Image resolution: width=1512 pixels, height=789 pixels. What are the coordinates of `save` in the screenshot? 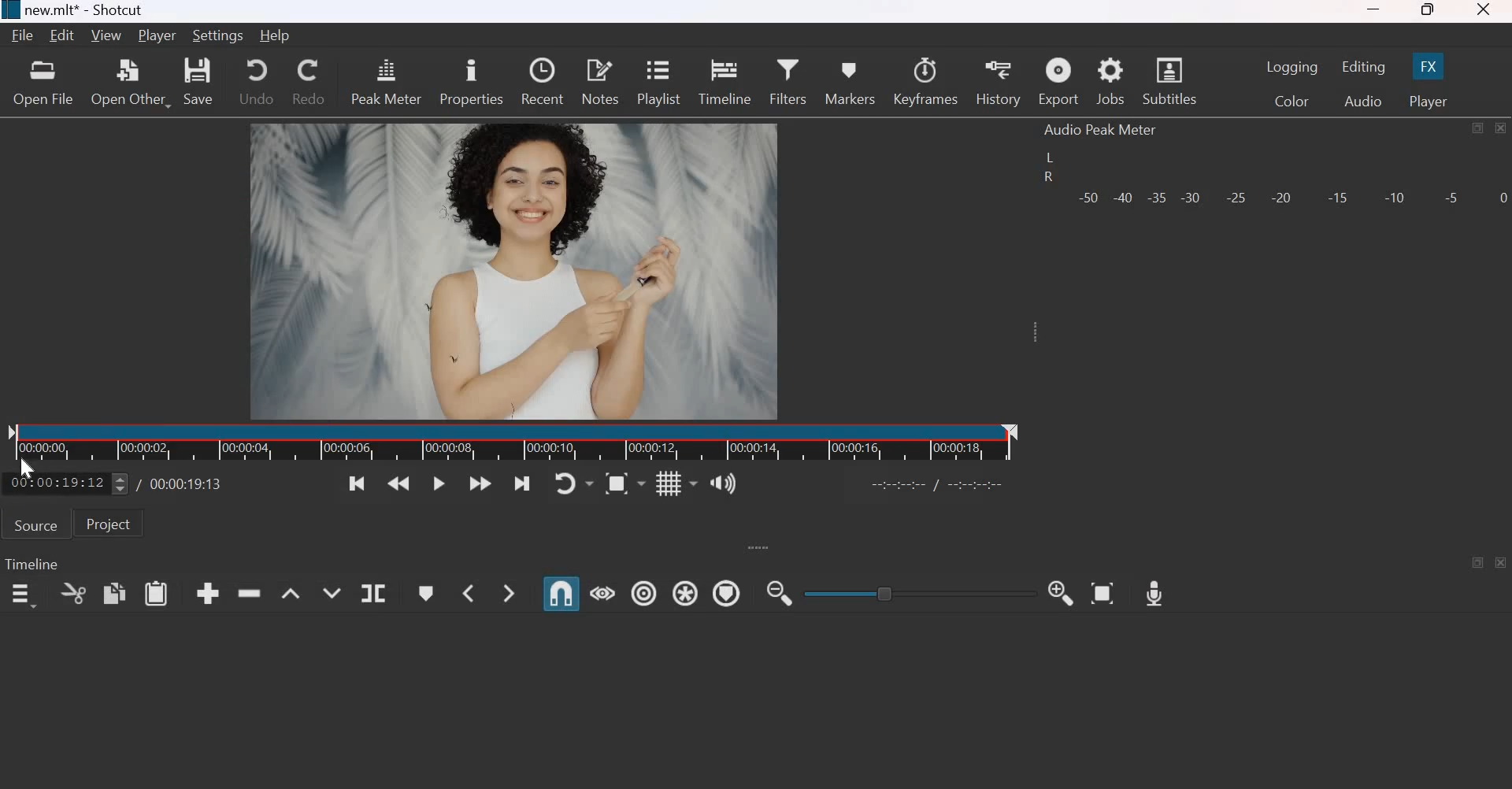 It's located at (199, 81).